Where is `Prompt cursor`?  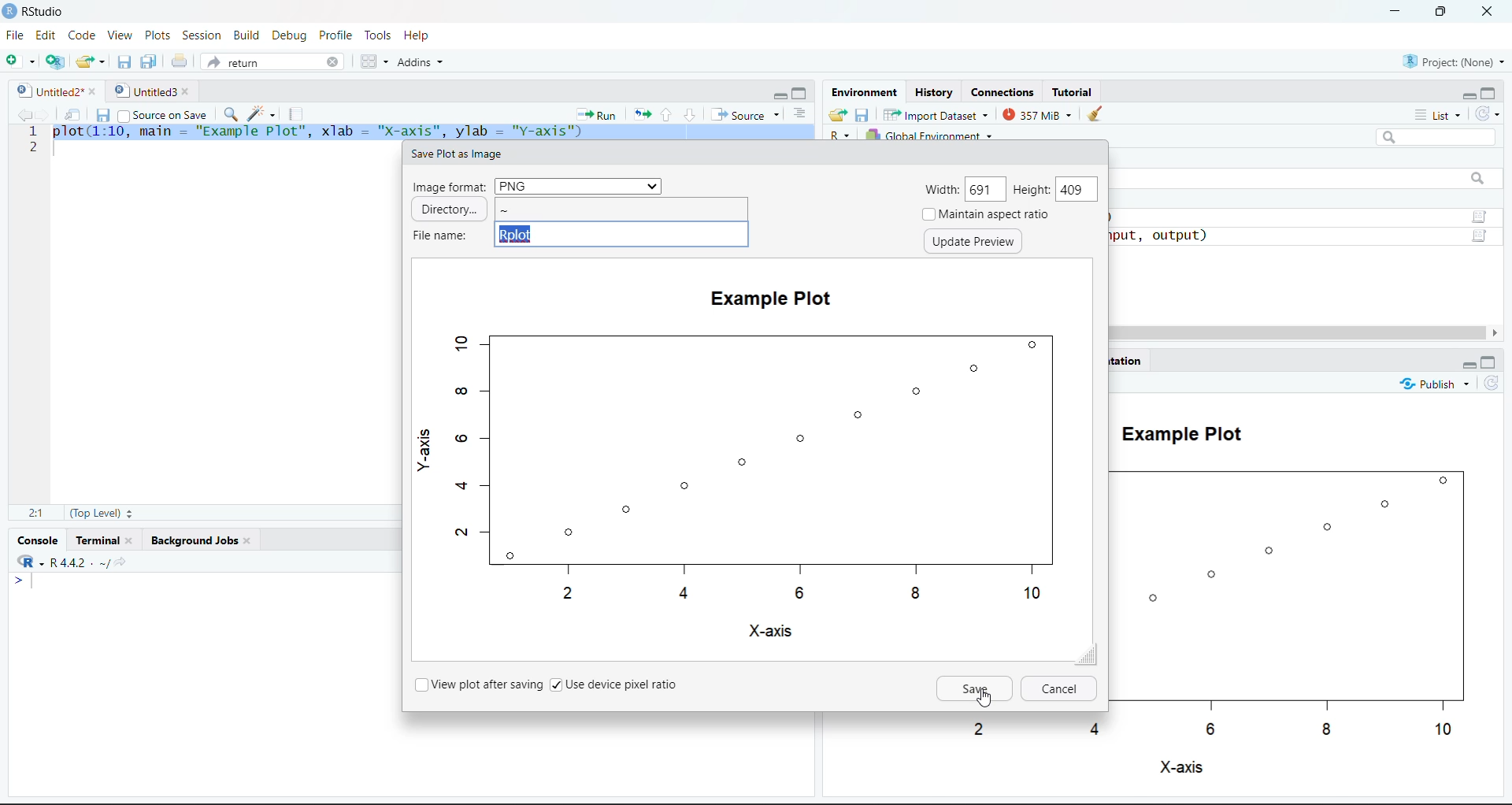
Prompt cursor is located at coordinates (17, 581).